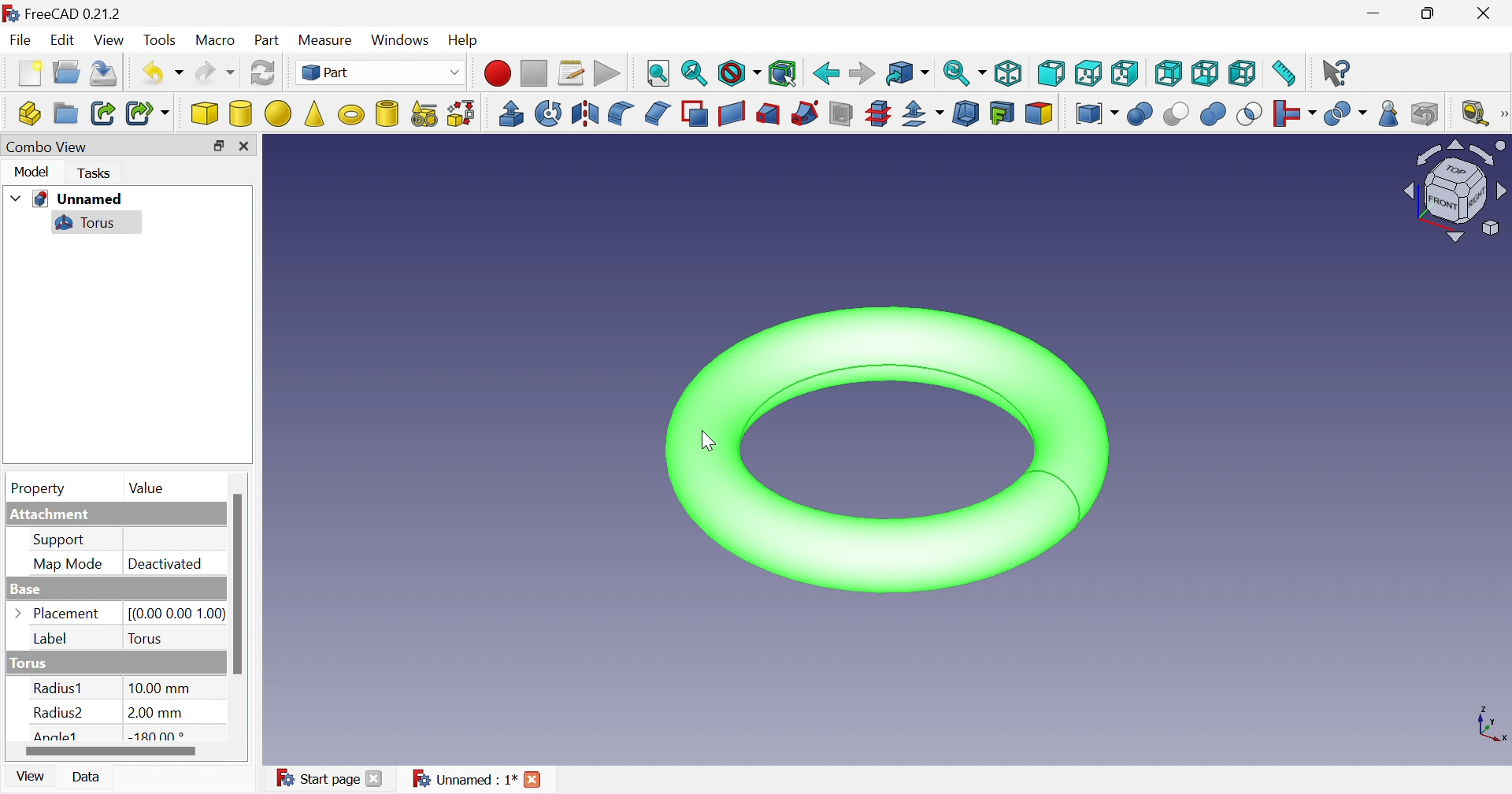  I want to click on Section, so click(843, 113).